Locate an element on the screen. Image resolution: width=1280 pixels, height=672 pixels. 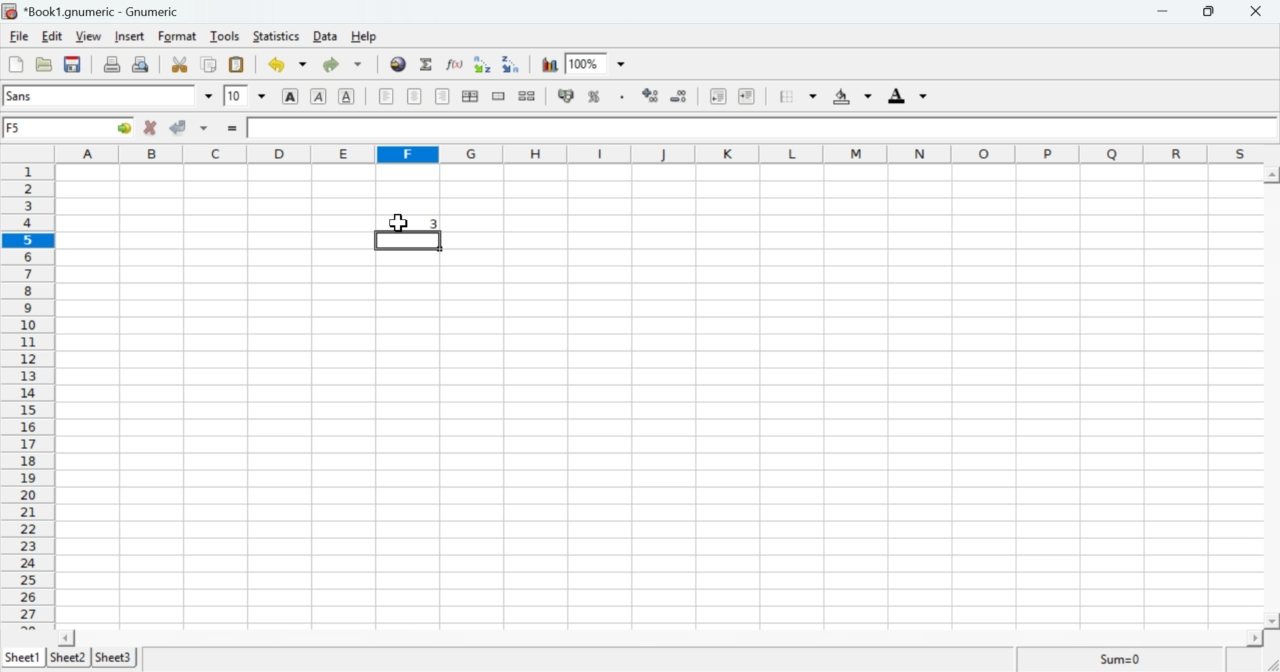
Center horizontally is located at coordinates (470, 96).